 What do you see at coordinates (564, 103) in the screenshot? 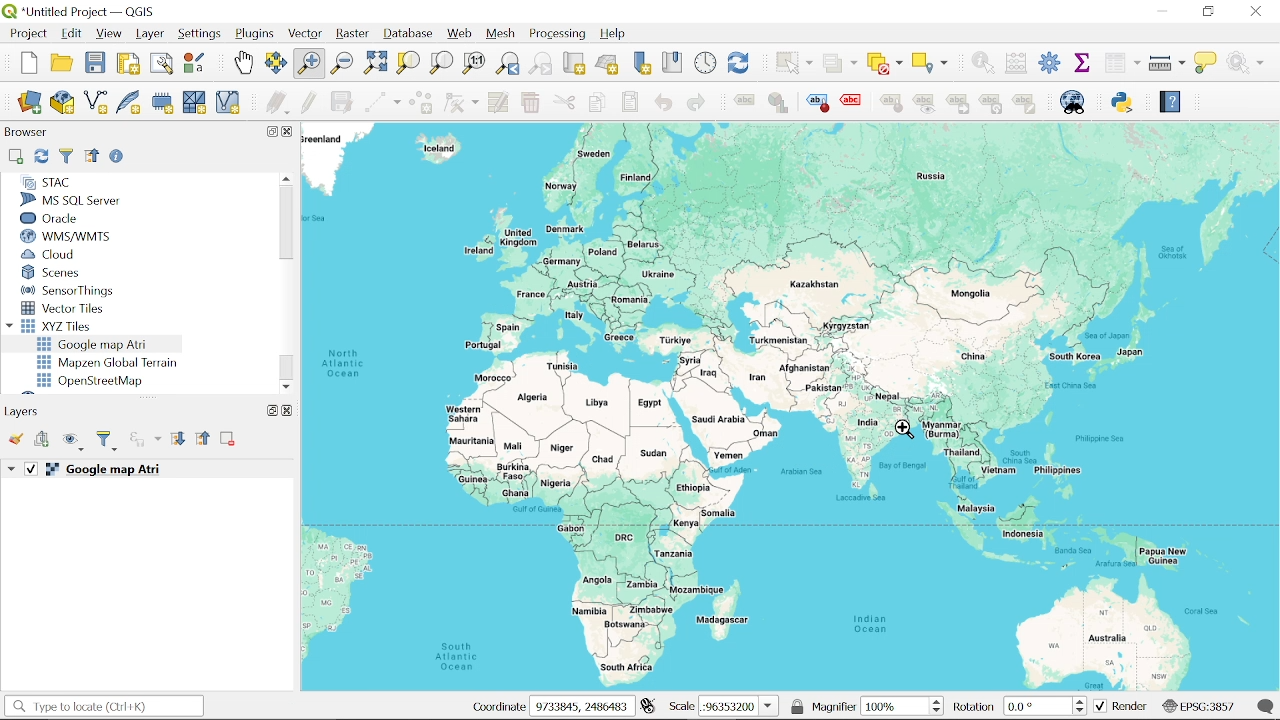
I see `Cut feature` at bounding box center [564, 103].